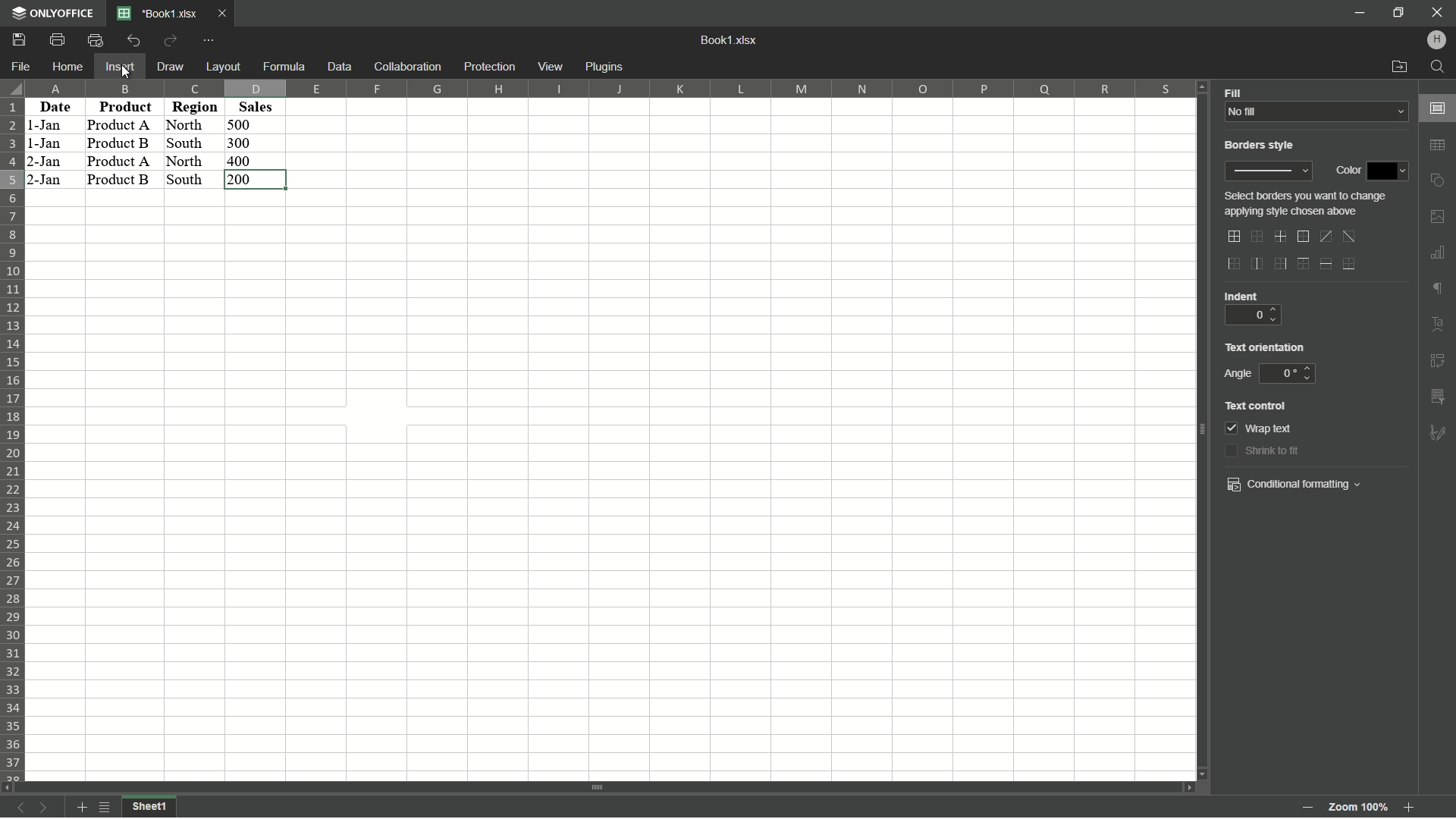 The image size is (1456, 819). Describe the element at coordinates (69, 65) in the screenshot. I see `Home` at that location.